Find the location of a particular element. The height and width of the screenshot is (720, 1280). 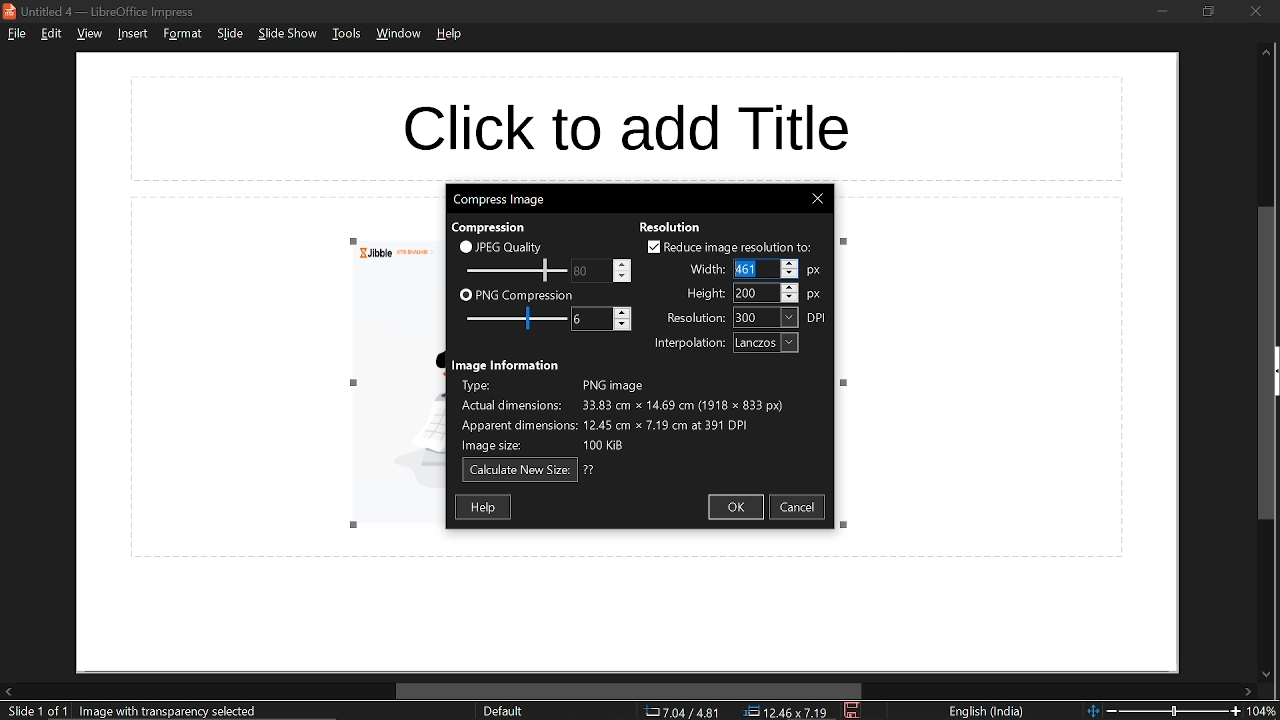

move down is located at coordinates (1264, 672).